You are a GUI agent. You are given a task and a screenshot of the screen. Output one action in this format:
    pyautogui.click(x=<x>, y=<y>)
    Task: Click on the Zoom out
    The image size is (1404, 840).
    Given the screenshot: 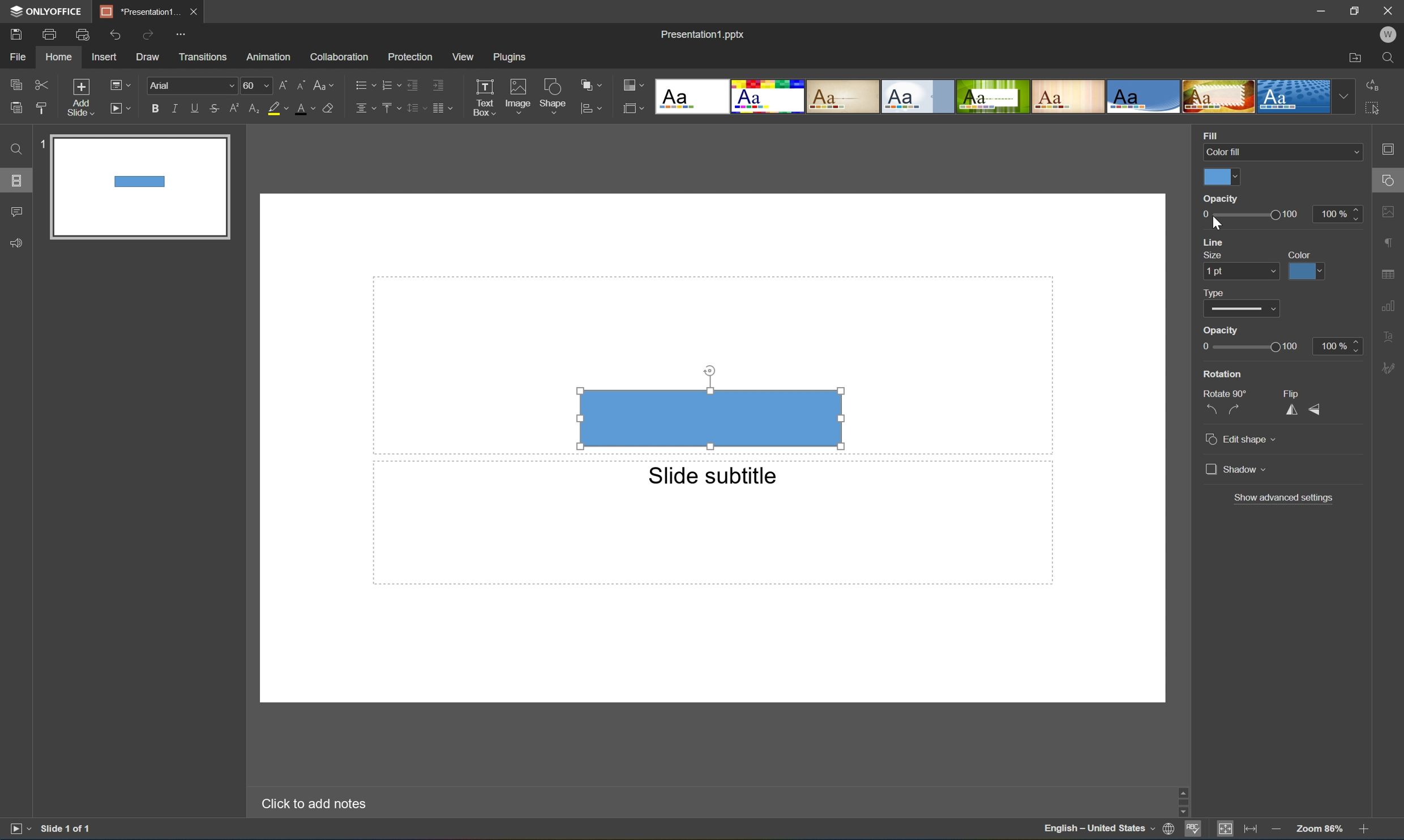 What is the action you would take?
    pyautogui.click(x=1275, y=829)
    